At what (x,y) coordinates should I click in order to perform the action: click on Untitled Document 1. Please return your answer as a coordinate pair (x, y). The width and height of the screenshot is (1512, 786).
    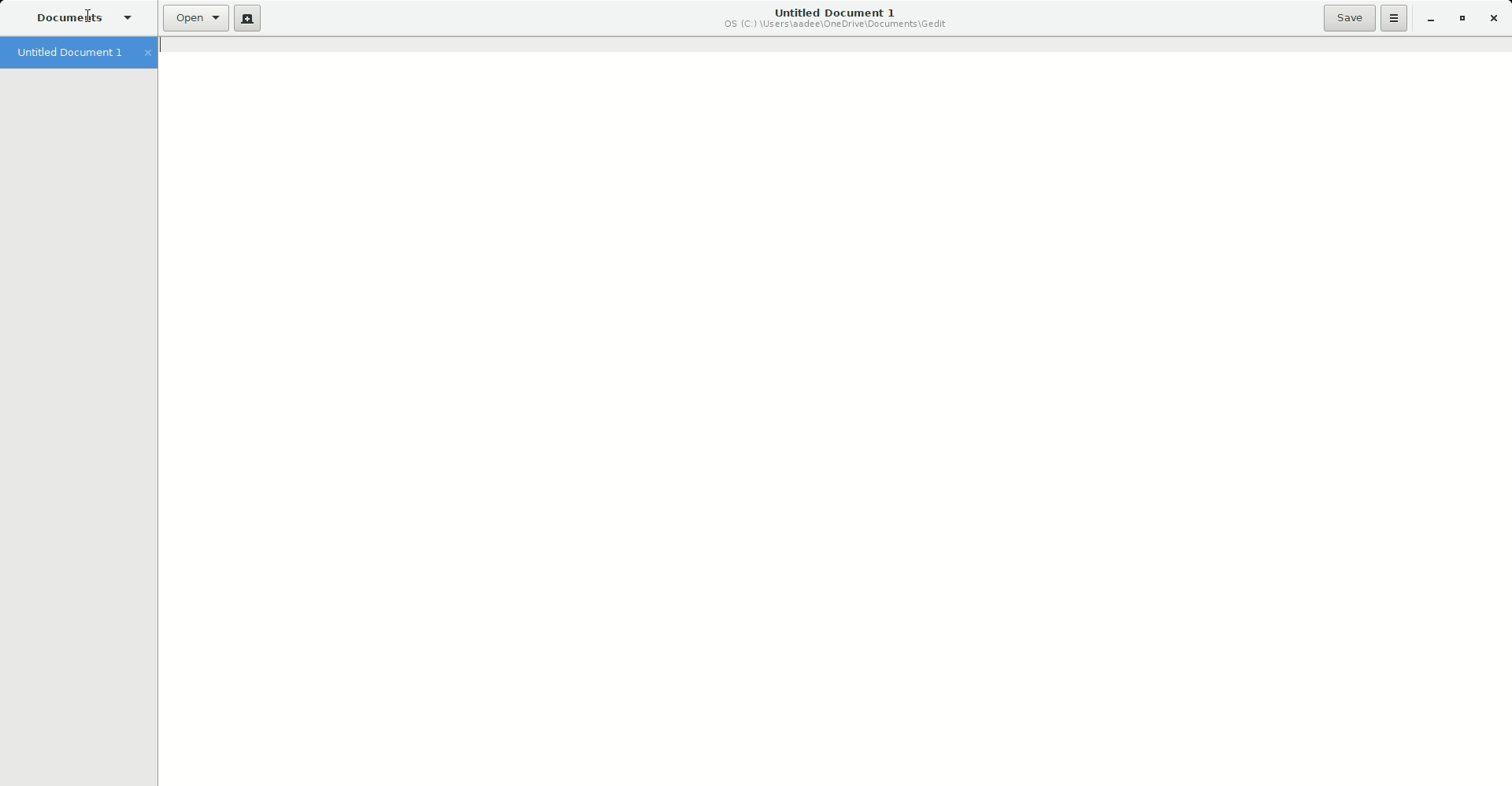
    Looking at the image, I should click on (835, 17).